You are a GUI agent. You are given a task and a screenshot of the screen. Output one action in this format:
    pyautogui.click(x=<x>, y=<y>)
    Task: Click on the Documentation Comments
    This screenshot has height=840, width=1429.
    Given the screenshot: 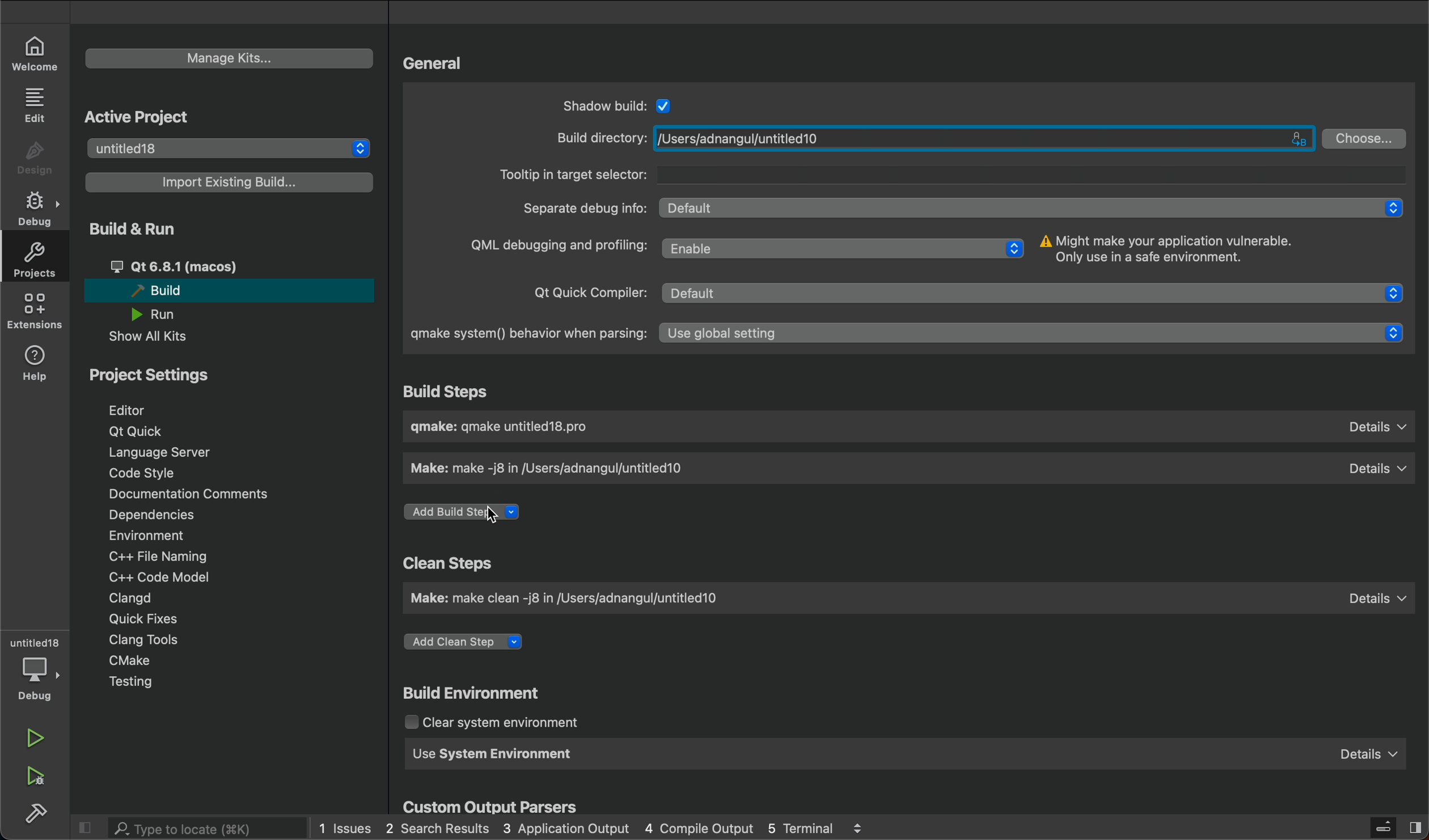 What is the action you would take?
    pyautogui.click(x=189, y=493)
    